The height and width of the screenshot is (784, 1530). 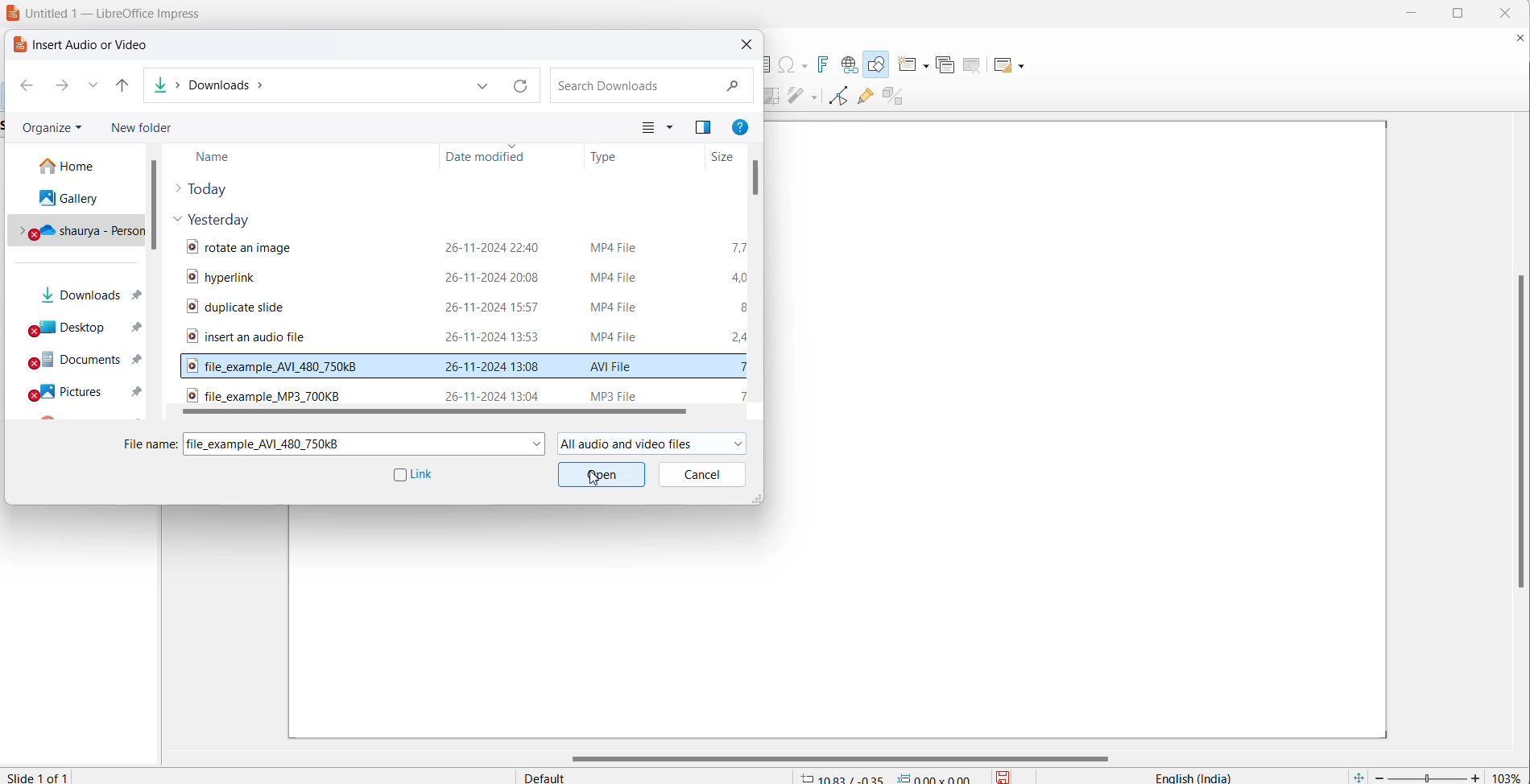 What do you see at coordinates (150, 447) in the screenshot?
I see `file name heading` at bounding box center [150, 447].